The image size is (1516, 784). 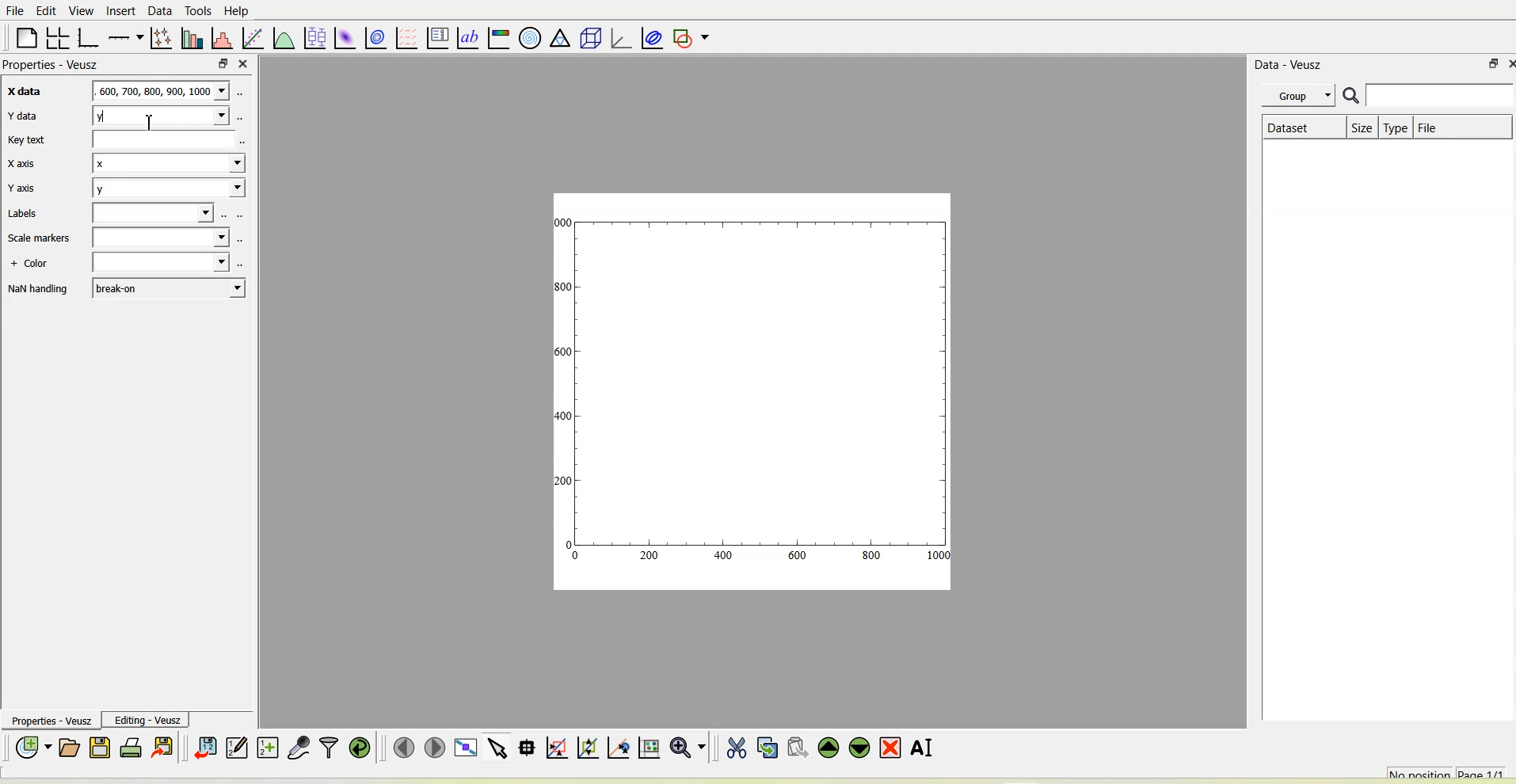 What do you see at coordinates (1420, 772) in the screenshot?
I see `No position` at bounding box center [1420, 772].